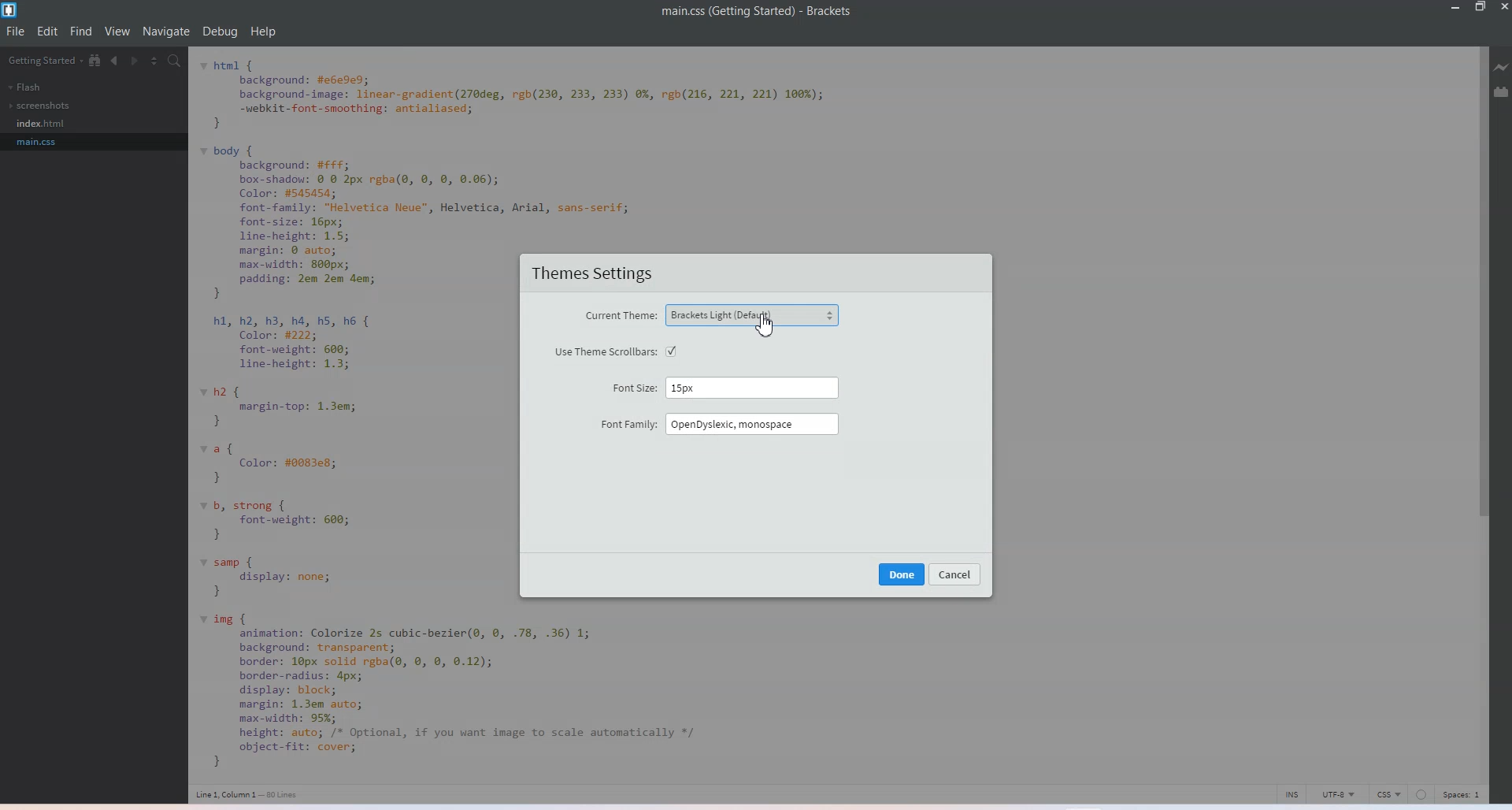 This screenshot has width=1512, height=810. What do you see at coordinates (1421, 794) in the screenshot?
I see `circle` at bounding box center [1421, 794].